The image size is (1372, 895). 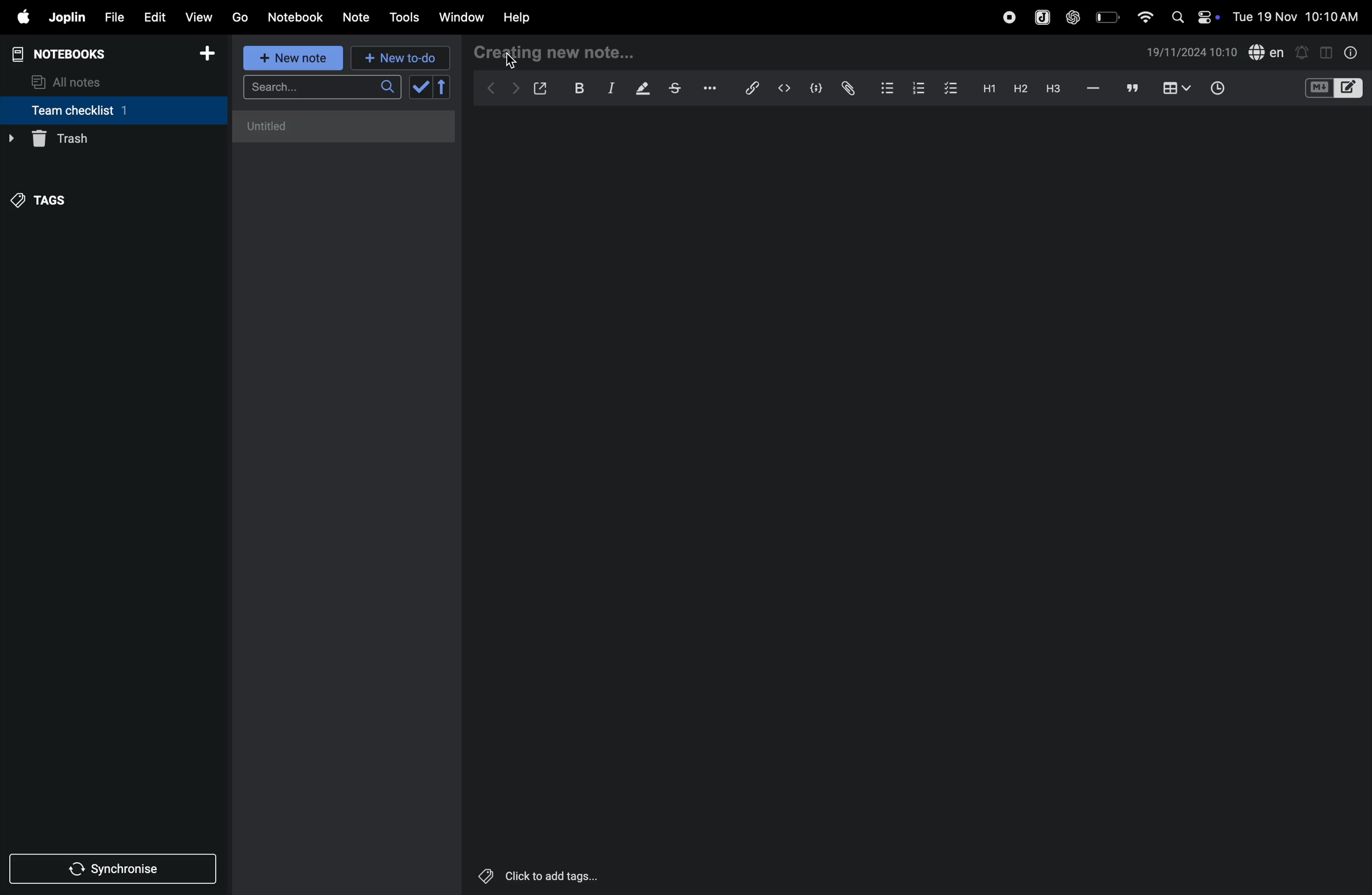 What do you see at coordinates (1322, 52) in the screenshot?
I see `toggle editor` at bounding box center [1322, 52].